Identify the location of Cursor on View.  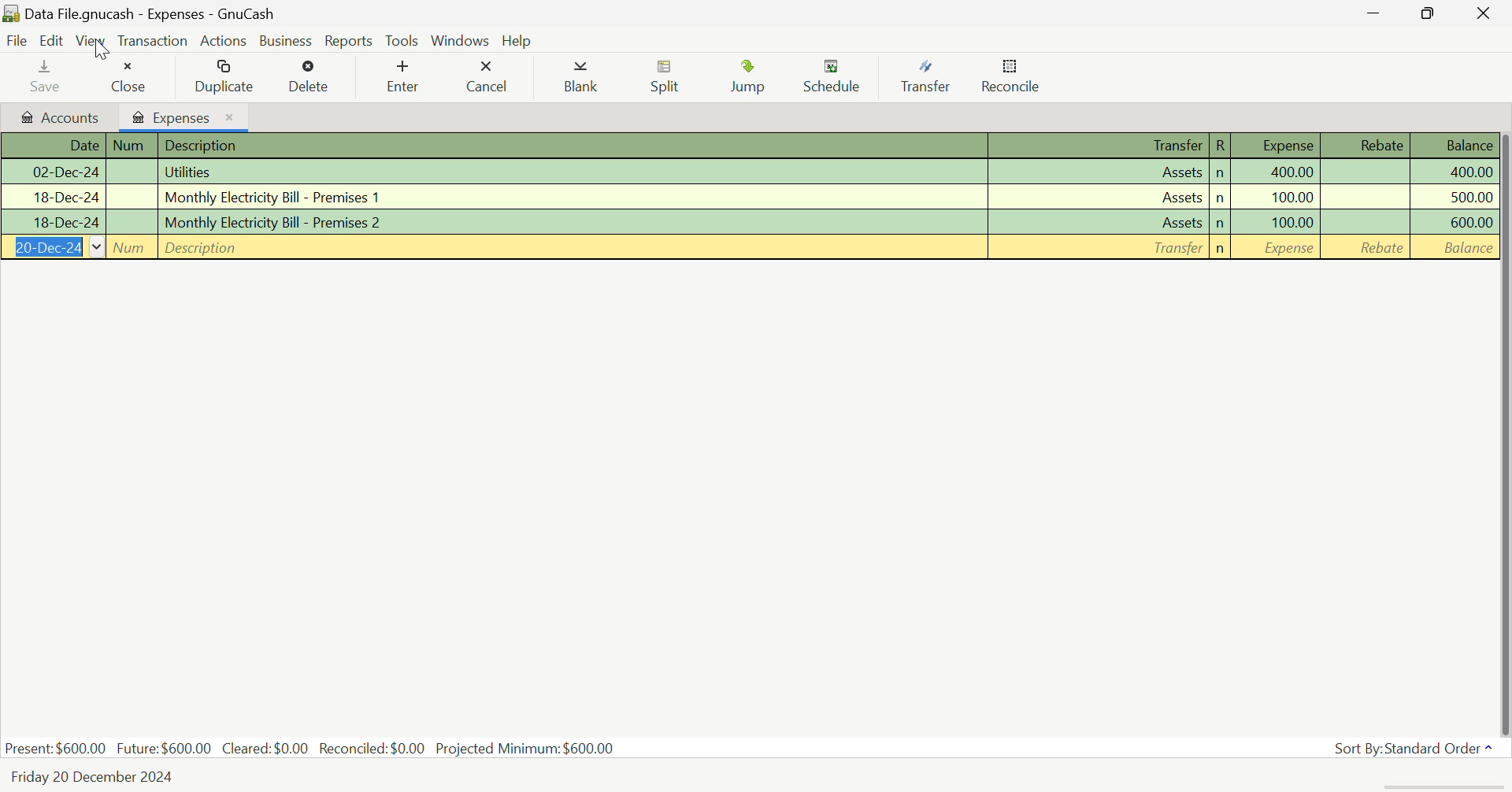
(102, 50).